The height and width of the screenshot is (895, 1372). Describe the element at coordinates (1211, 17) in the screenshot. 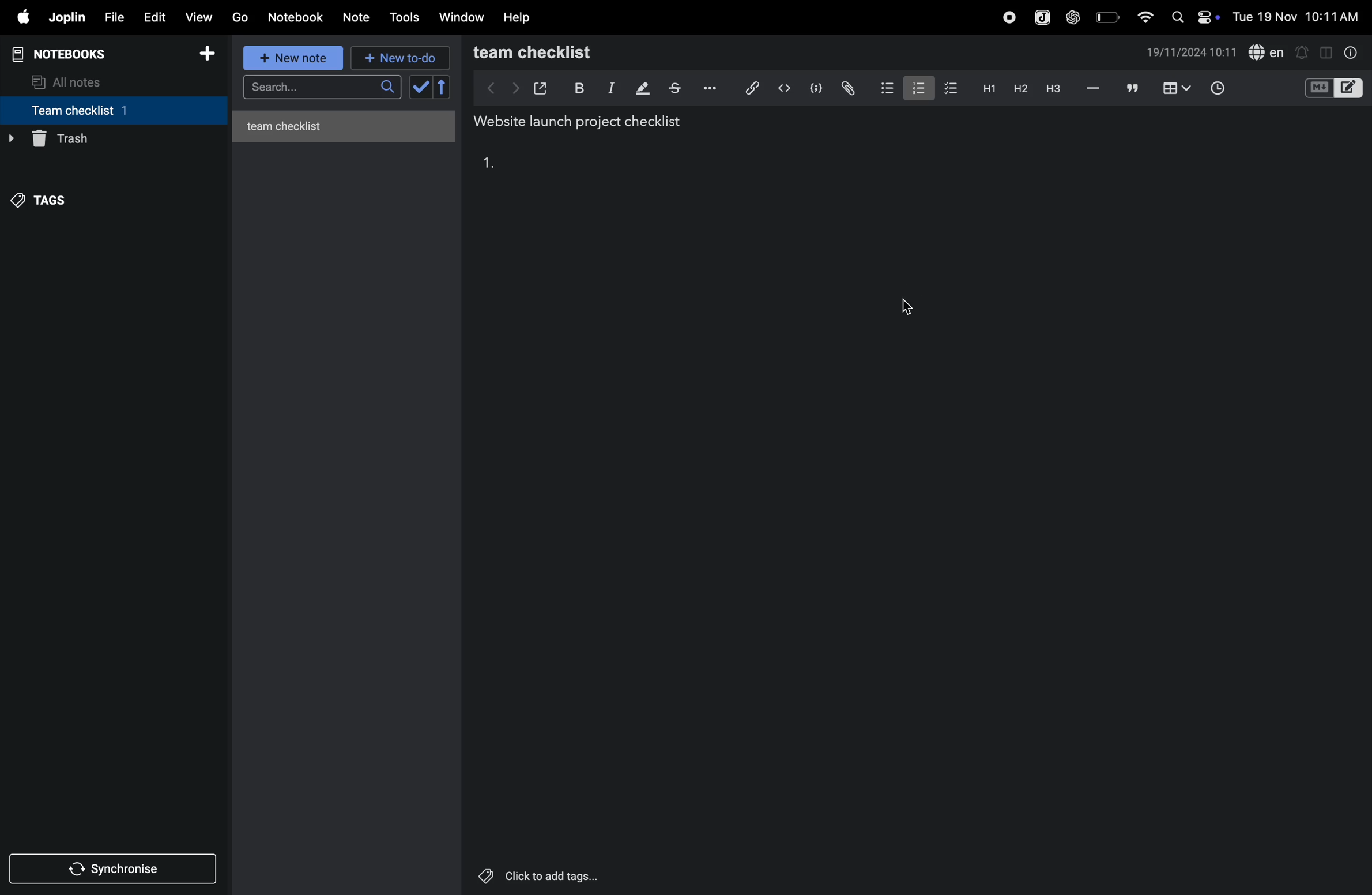

I see `on/off` at that location.